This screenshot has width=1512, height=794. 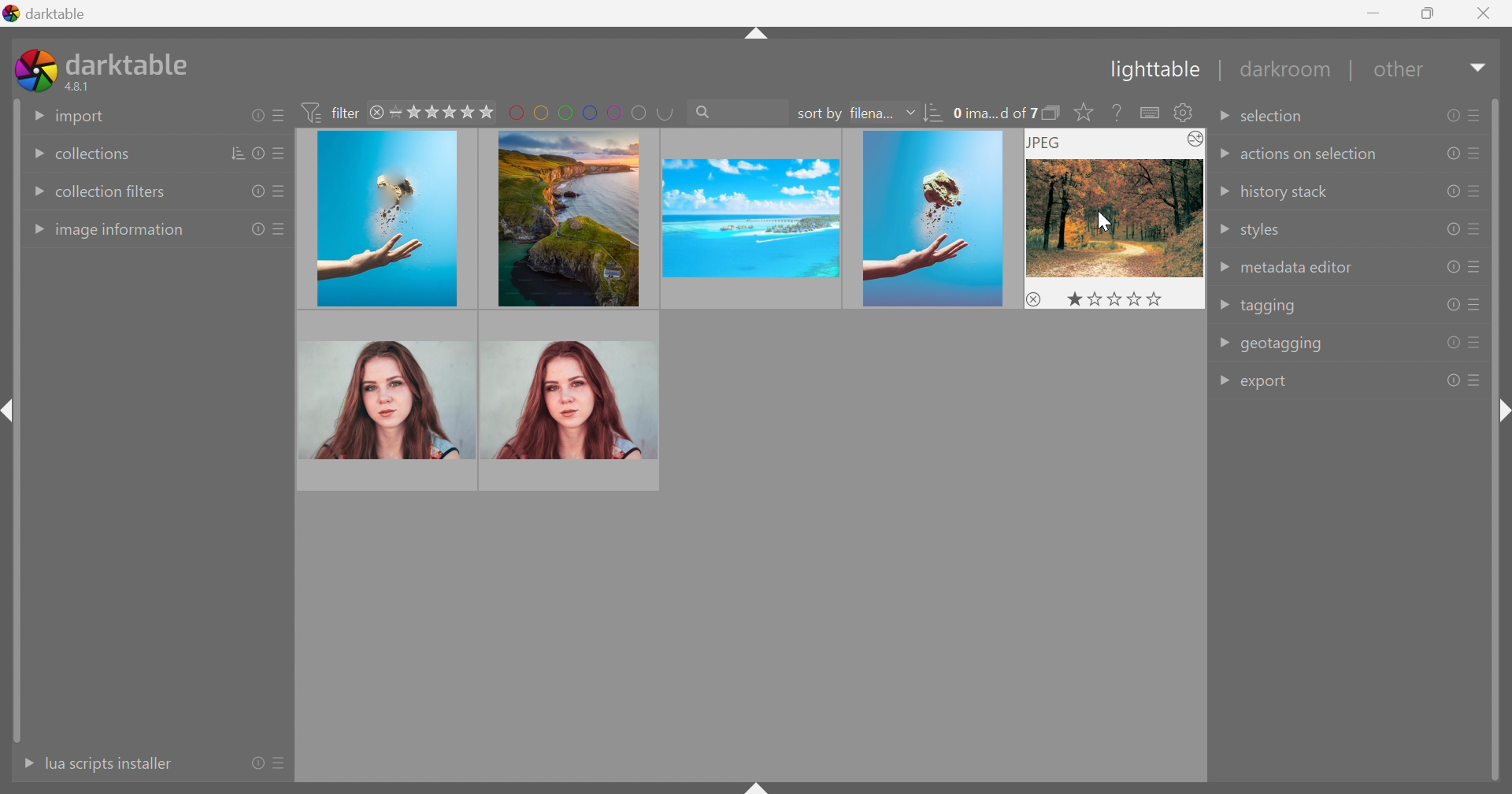 I want to click on filter, so click(x=334, y=112).